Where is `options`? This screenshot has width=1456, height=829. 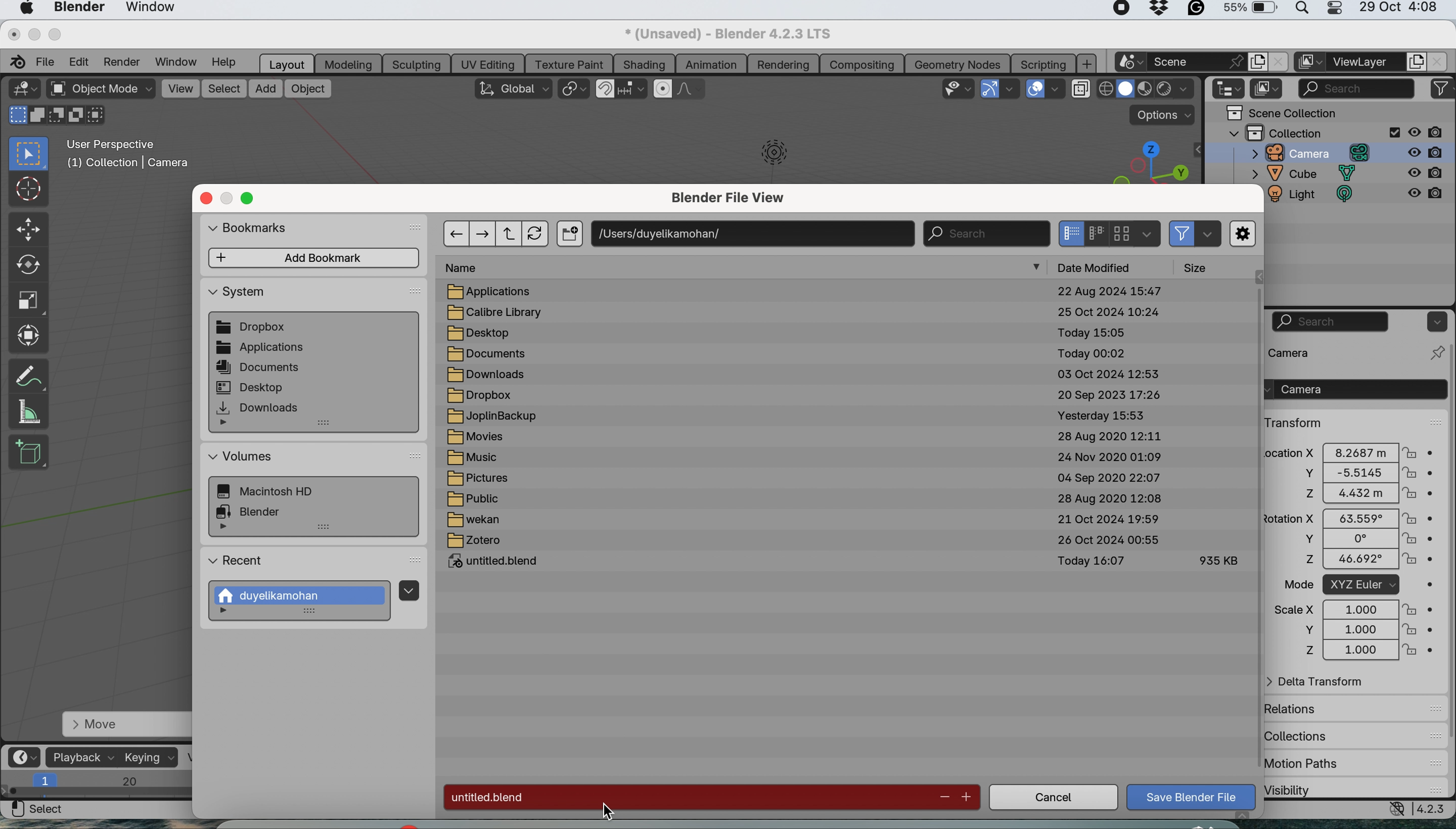
options is located at coordinates (1164, 115).